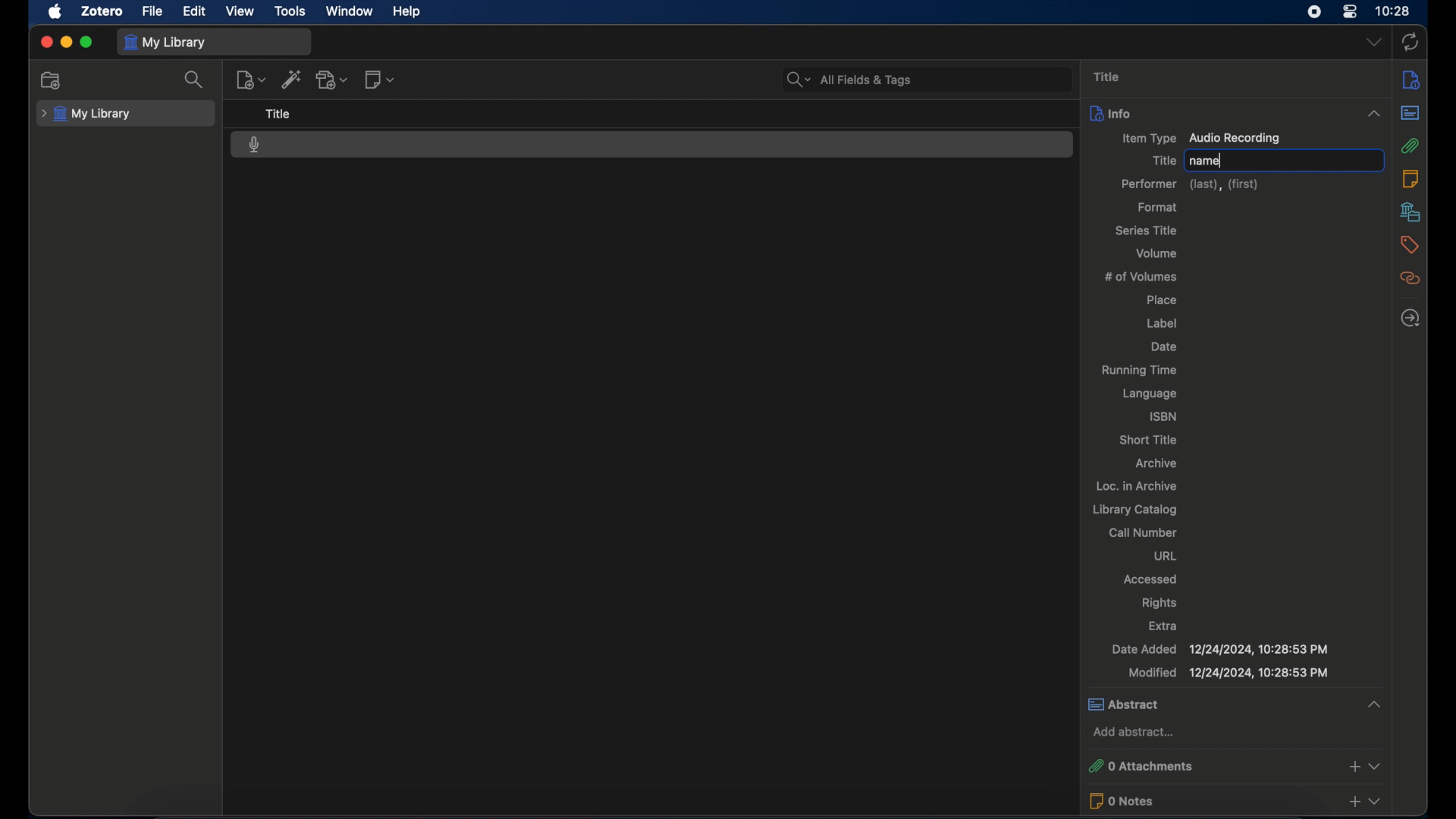  What do you see at coordinates (1410, 42) in the screenshot?
I see `sync` at bounding box center [1410, 42].